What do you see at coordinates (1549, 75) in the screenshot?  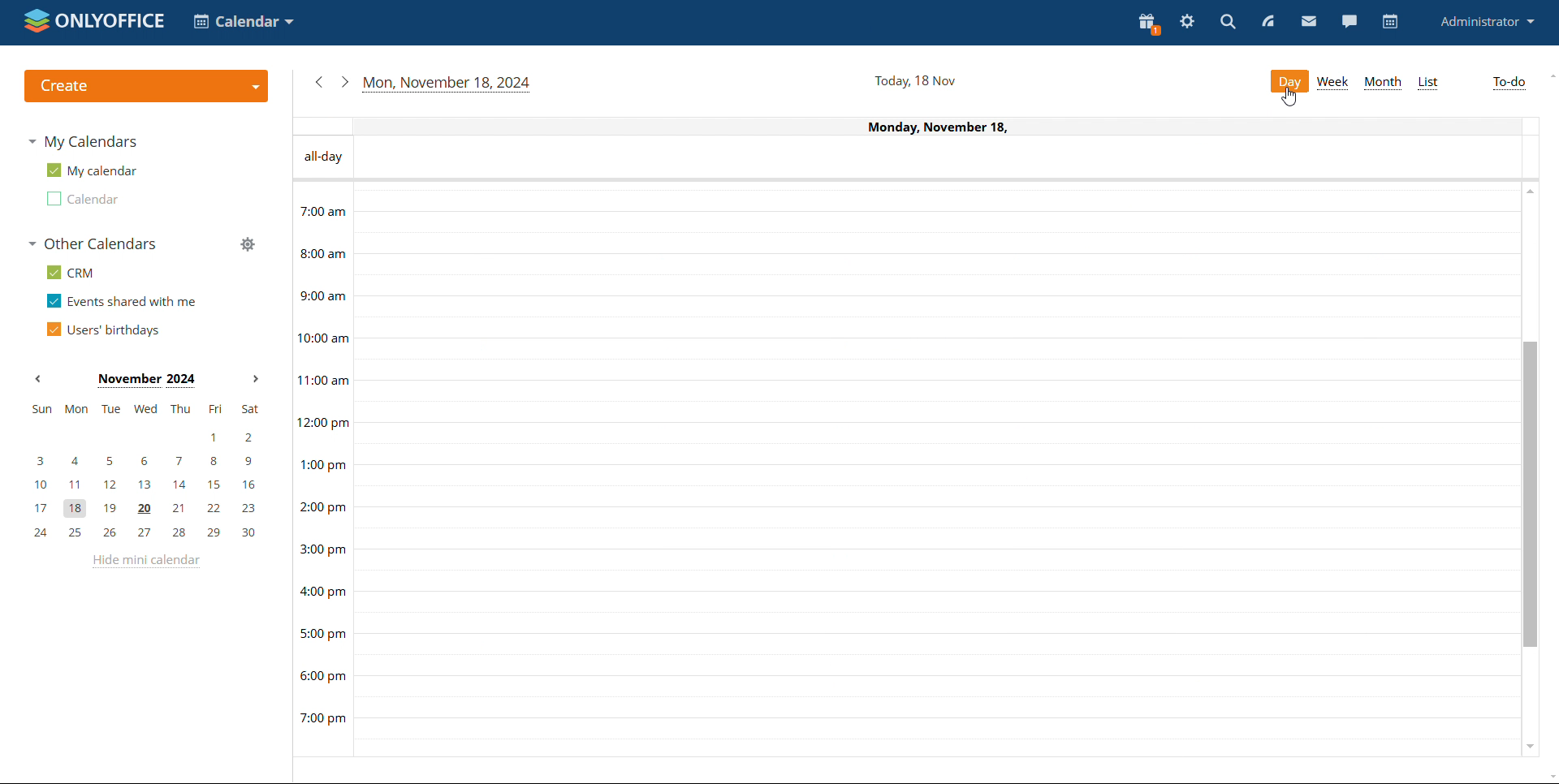 I see `scroll up` at bounding box center [1549, 75].